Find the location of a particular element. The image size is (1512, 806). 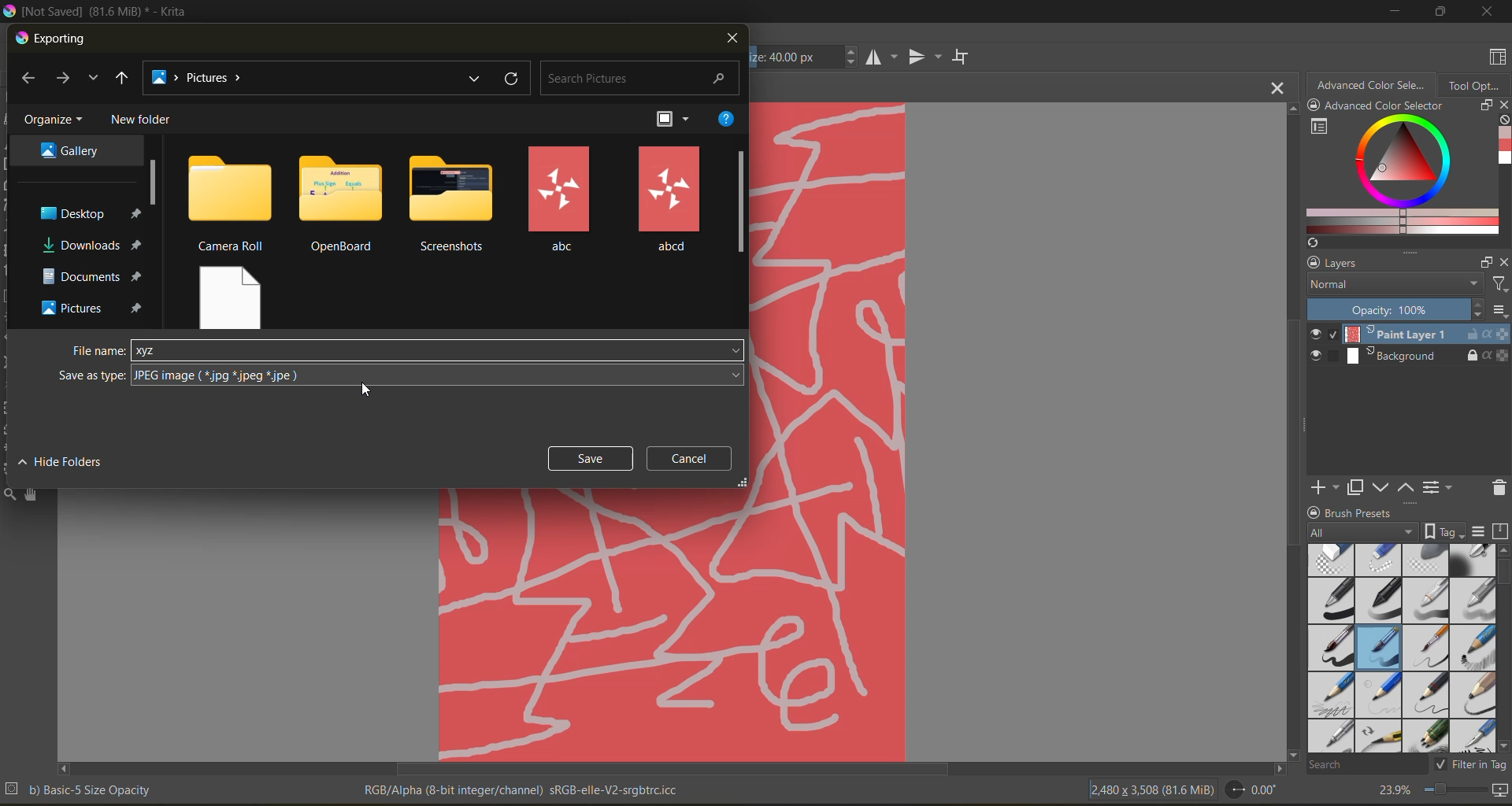

metadata is located at coordinates (80, 789).